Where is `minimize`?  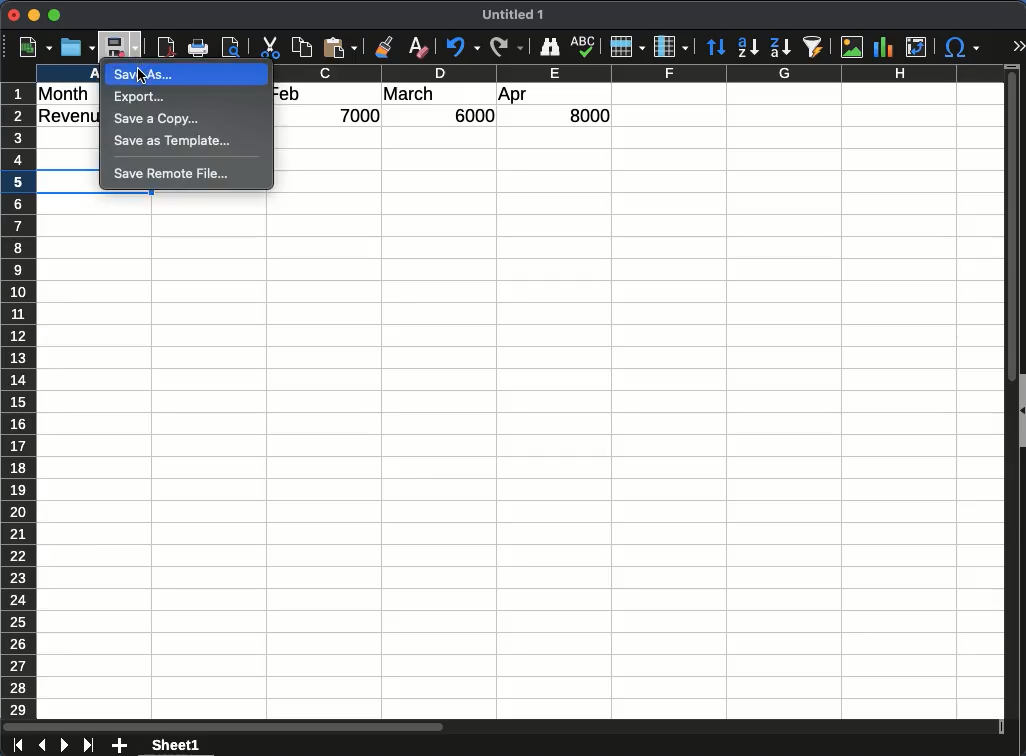
minimize is located at coordinates (35, 15).